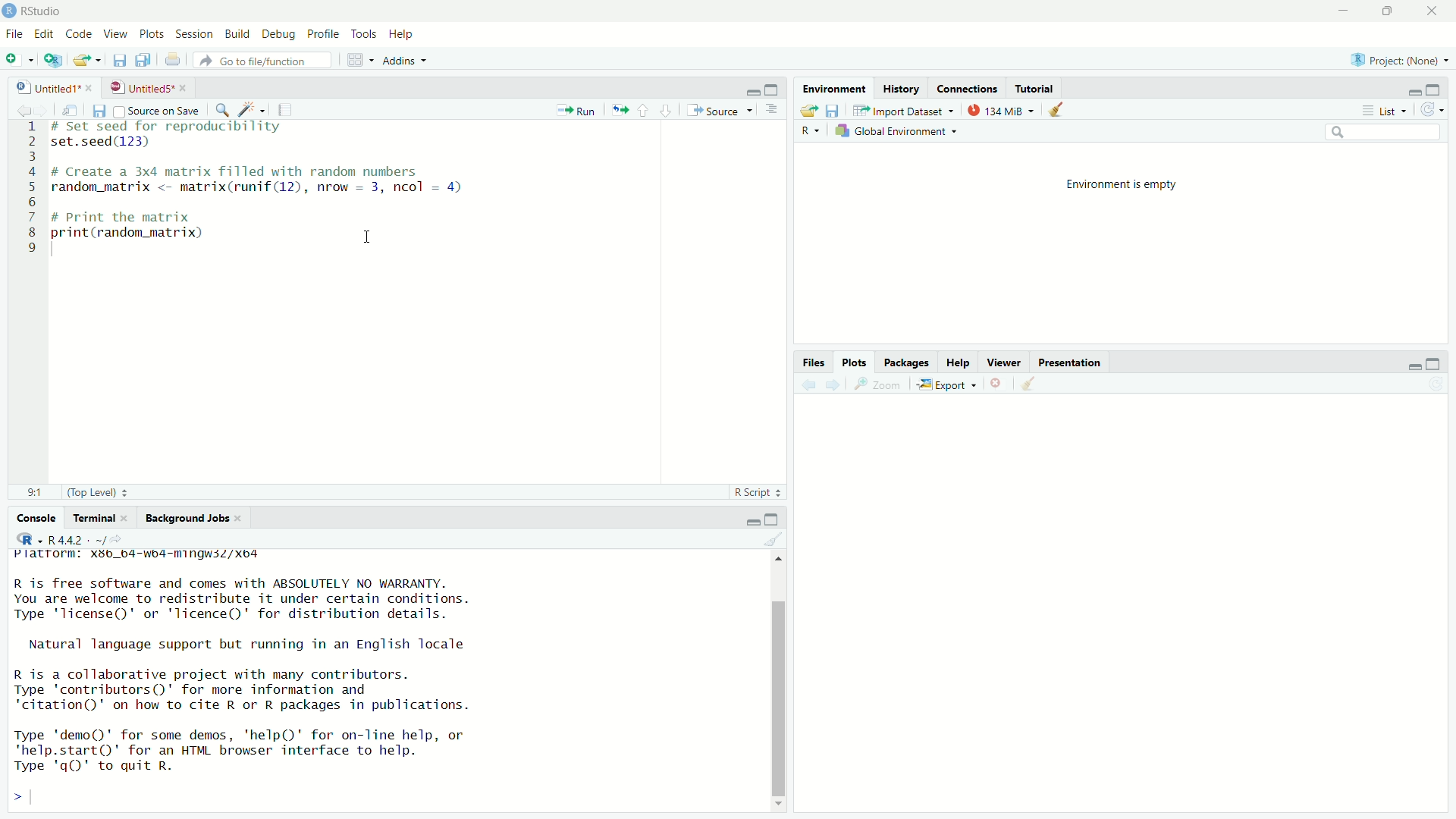 This screenshot has height=819, width=1456. What do you see at coordinates (270, 678) in the screenshot?
I see `rPlatrorm. Xx3b_b4-wo4-mingwsZ/xo4

R is free software and comes with ABSOLUTELY NO WARRANTY.

You are welcome to redistribute it under certain conditions.

Type 'license()' or 'licence()' for distribution details.
Natural language support but running in an English locale

R is a collaborative project with many contributors.

Type 'contributors()' for more information and

‘citation()' on how to cite R or R packages in publications.

Type 'demo()' for some demos, 'help()' for on-line help, or

'help.start()' for an HTML browser interface to help.

Type 'qQ)' to quit R.

>` at bounding box center [270, 678].